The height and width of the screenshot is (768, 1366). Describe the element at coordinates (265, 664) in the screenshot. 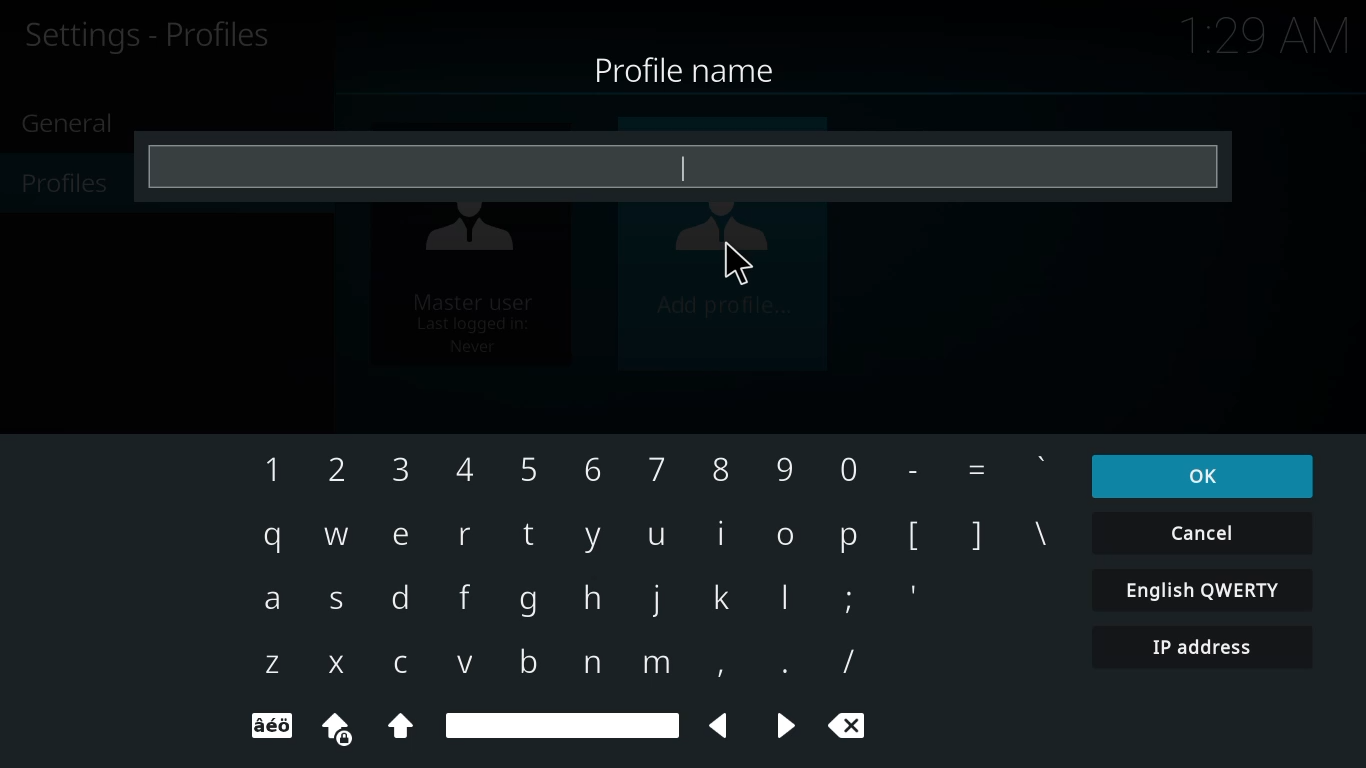

I see `z` at that location.